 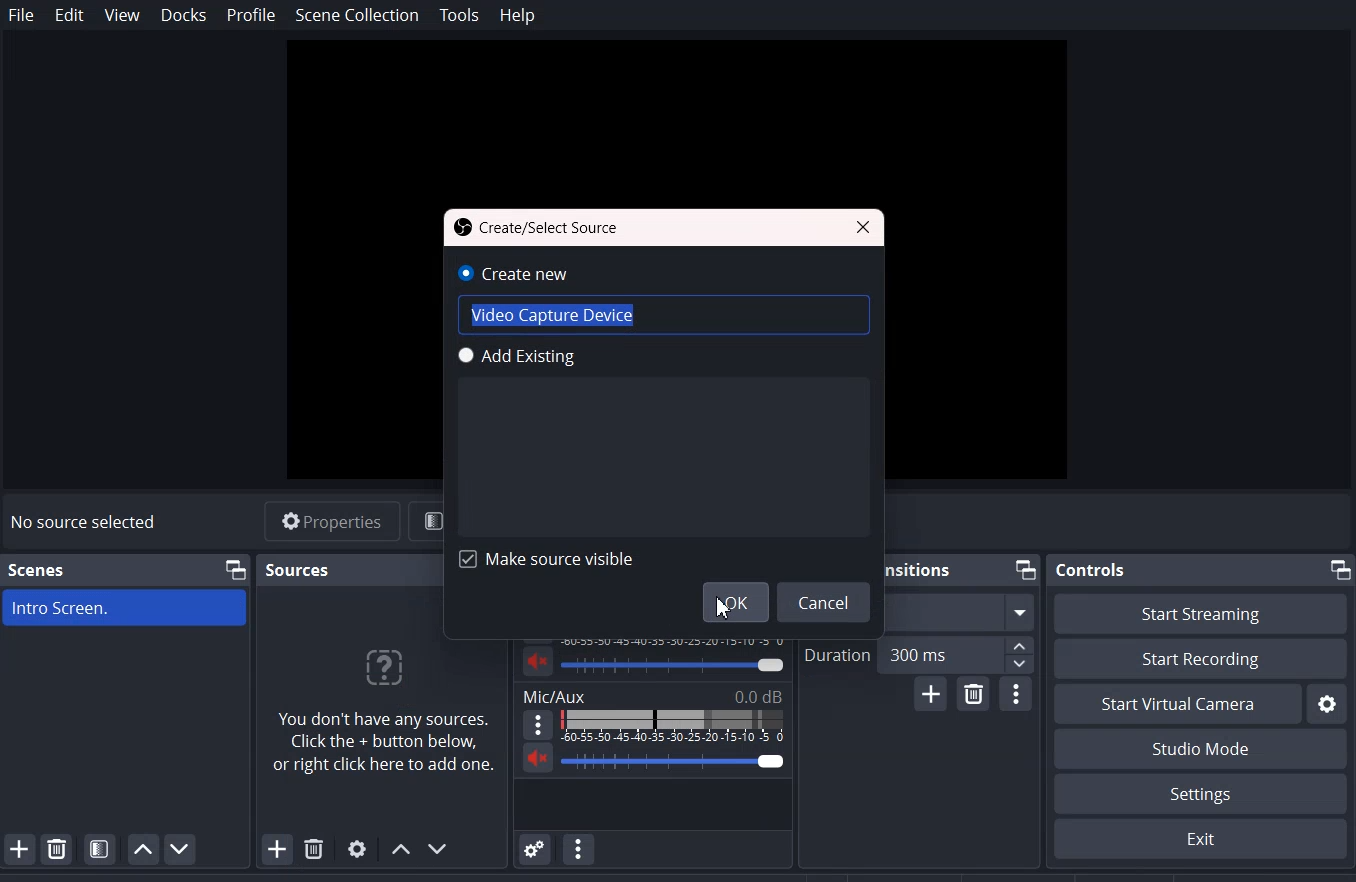 What do you see at coordinates (388, 665) in the screenshot?
I see `?` at bounding box center [388, 665].